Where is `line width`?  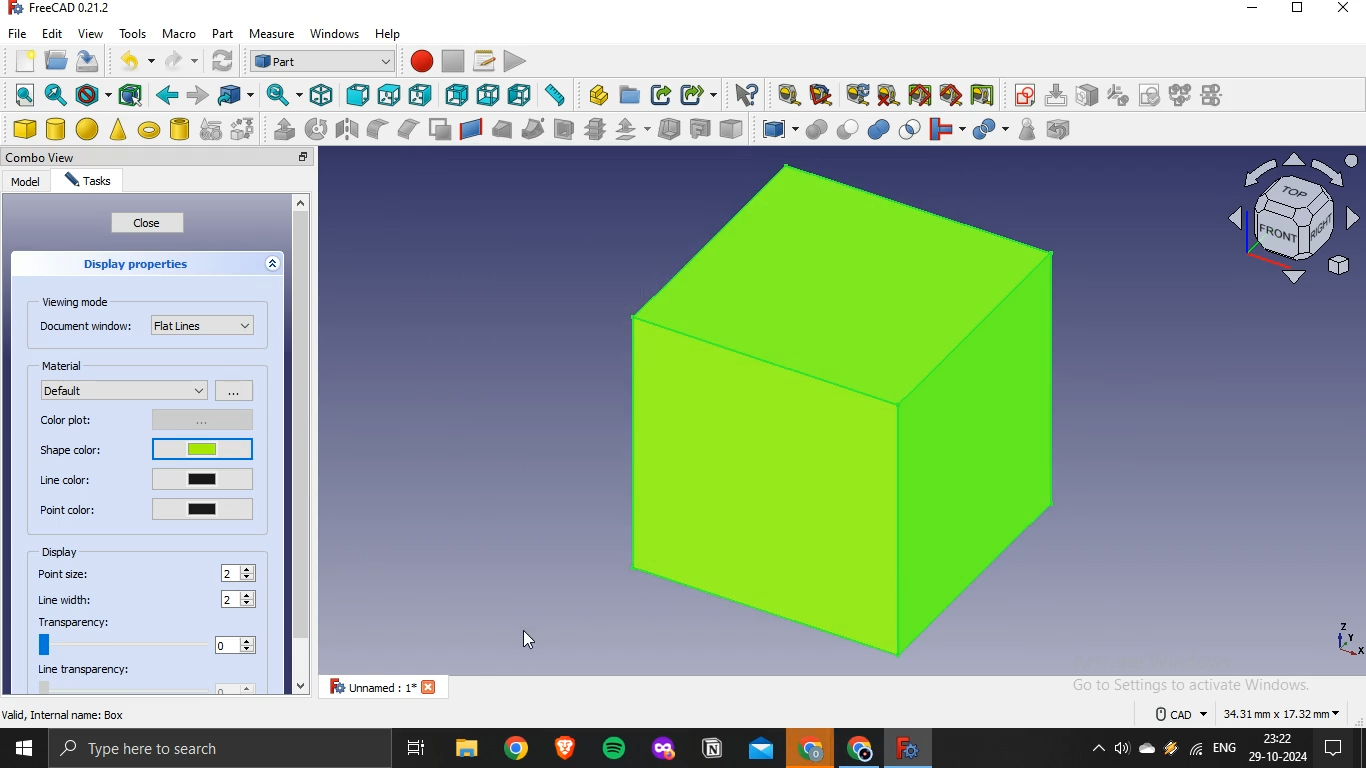 line width is located at coordinates (68, 600).